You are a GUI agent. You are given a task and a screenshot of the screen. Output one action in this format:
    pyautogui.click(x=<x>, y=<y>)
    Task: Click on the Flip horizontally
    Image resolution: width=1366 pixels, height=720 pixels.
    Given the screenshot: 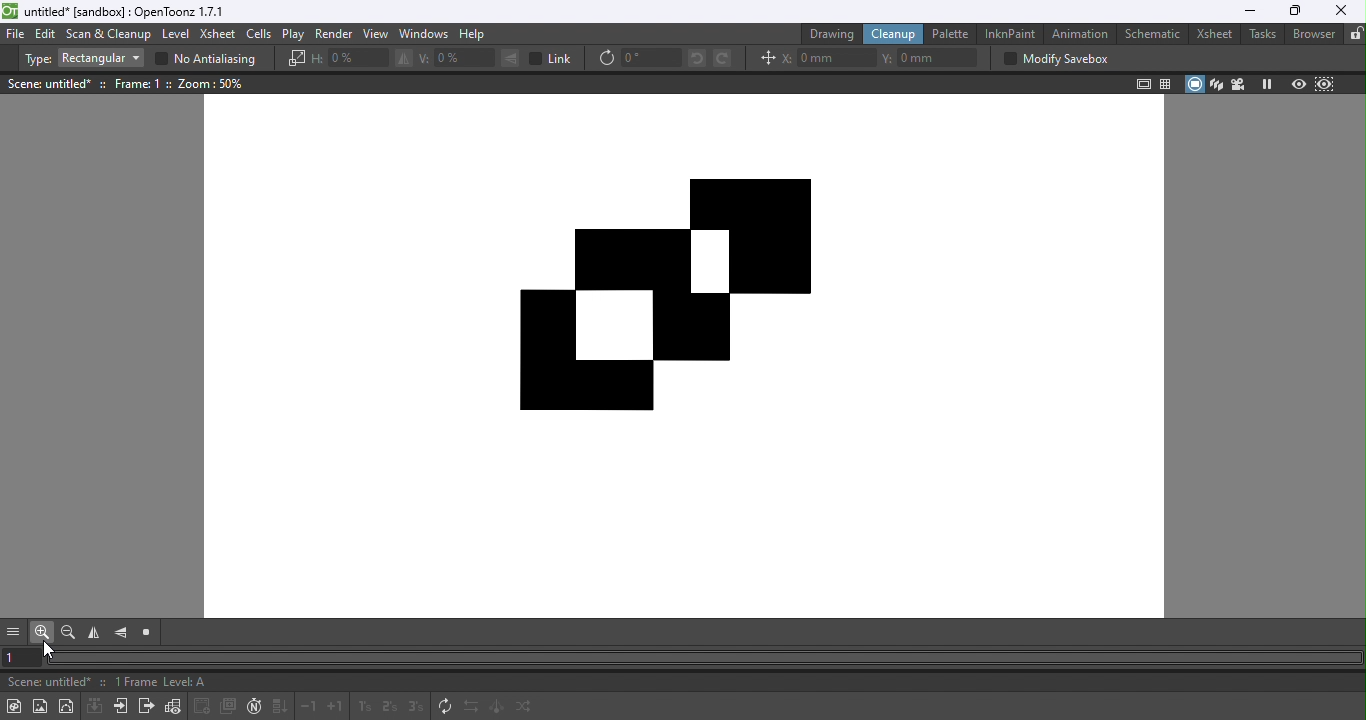 What is the action you would take?
    pyautogui.click(x=92, y=633)
    